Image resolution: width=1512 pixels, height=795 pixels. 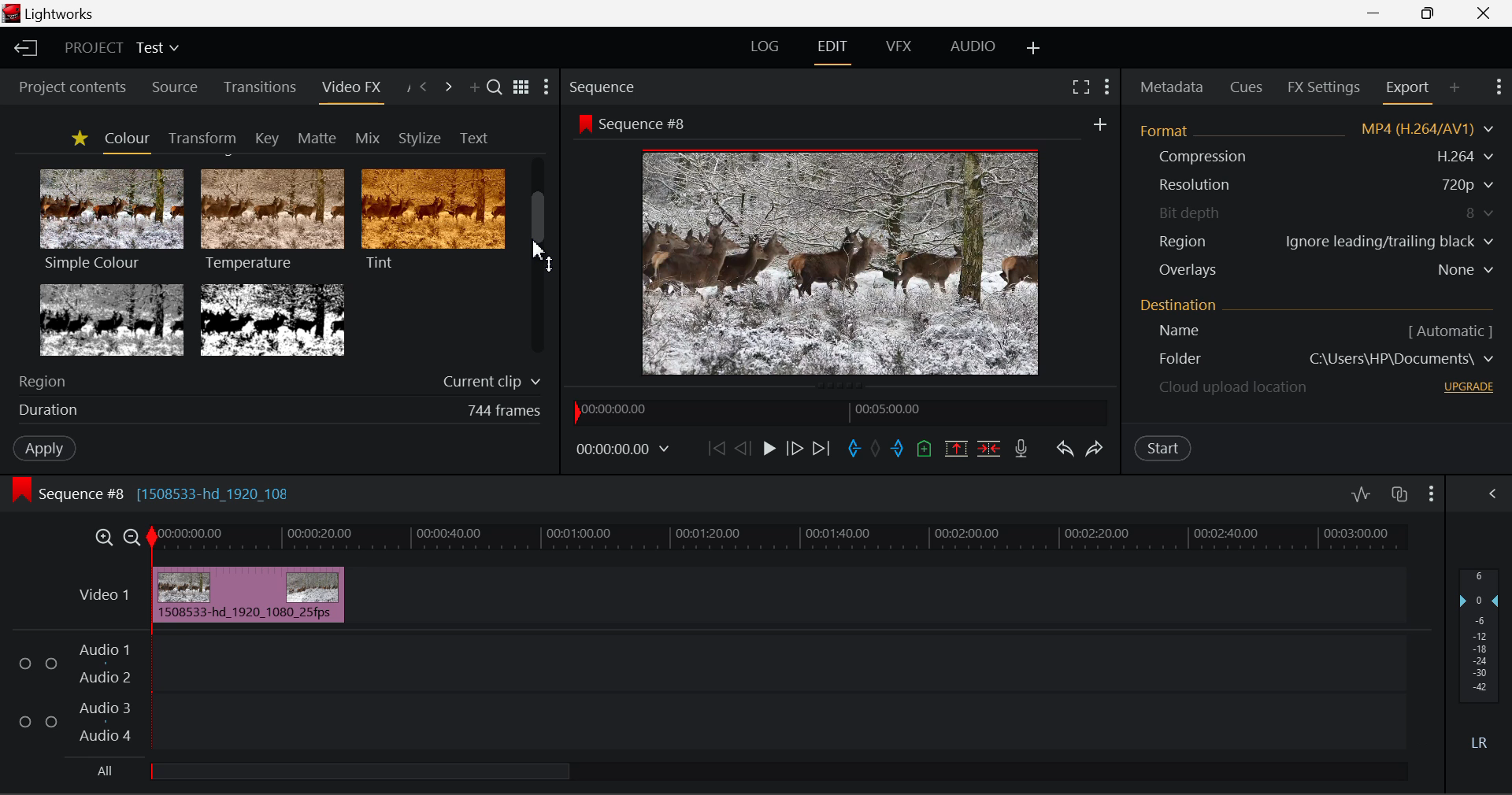 I want to click on Matte, so click(x=317, y=138).